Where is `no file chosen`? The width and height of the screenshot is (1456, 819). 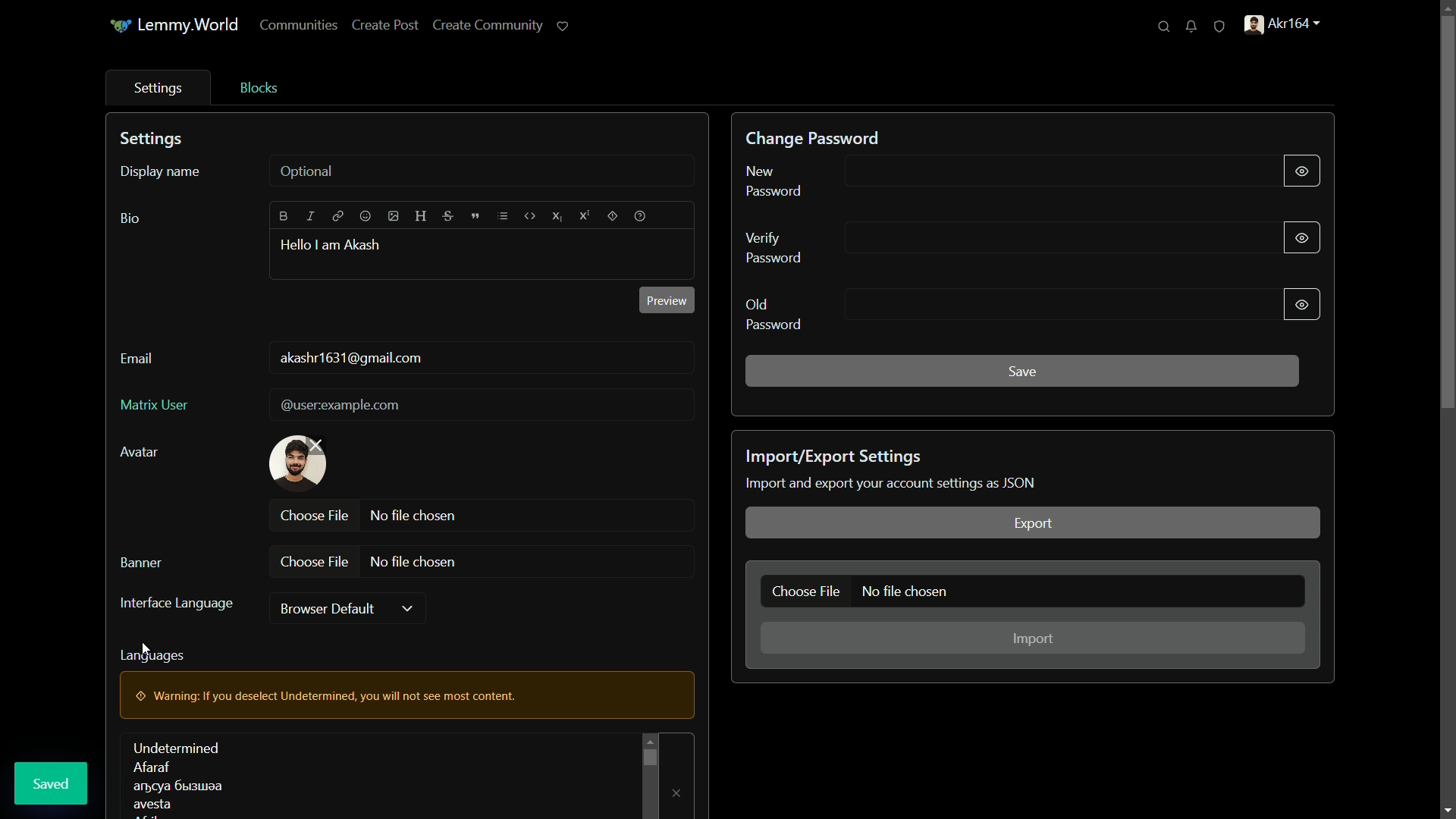
no file chosen is located at coordinates (413, 563).